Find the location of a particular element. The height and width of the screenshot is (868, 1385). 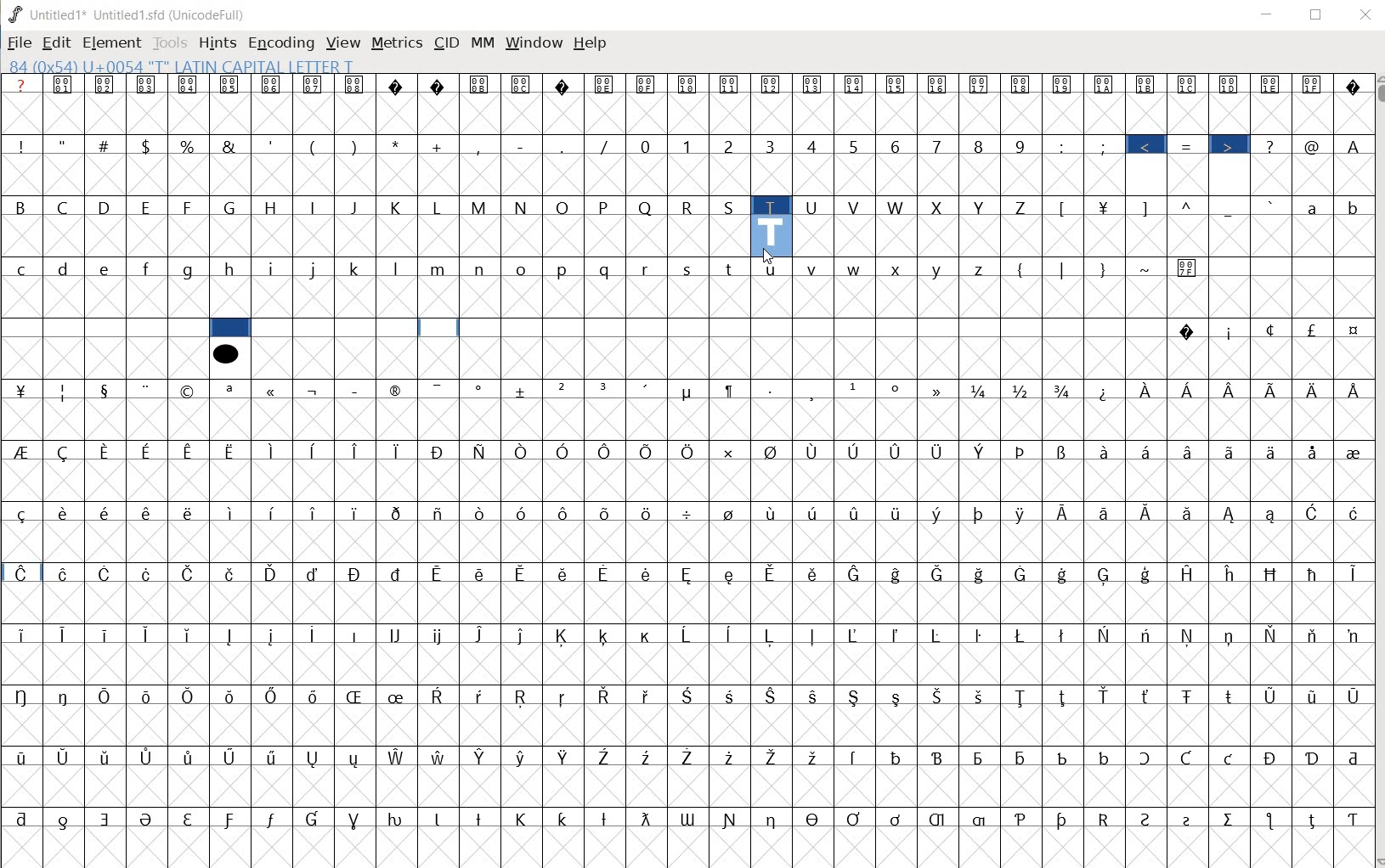

k is located at coordinates (355, 268).